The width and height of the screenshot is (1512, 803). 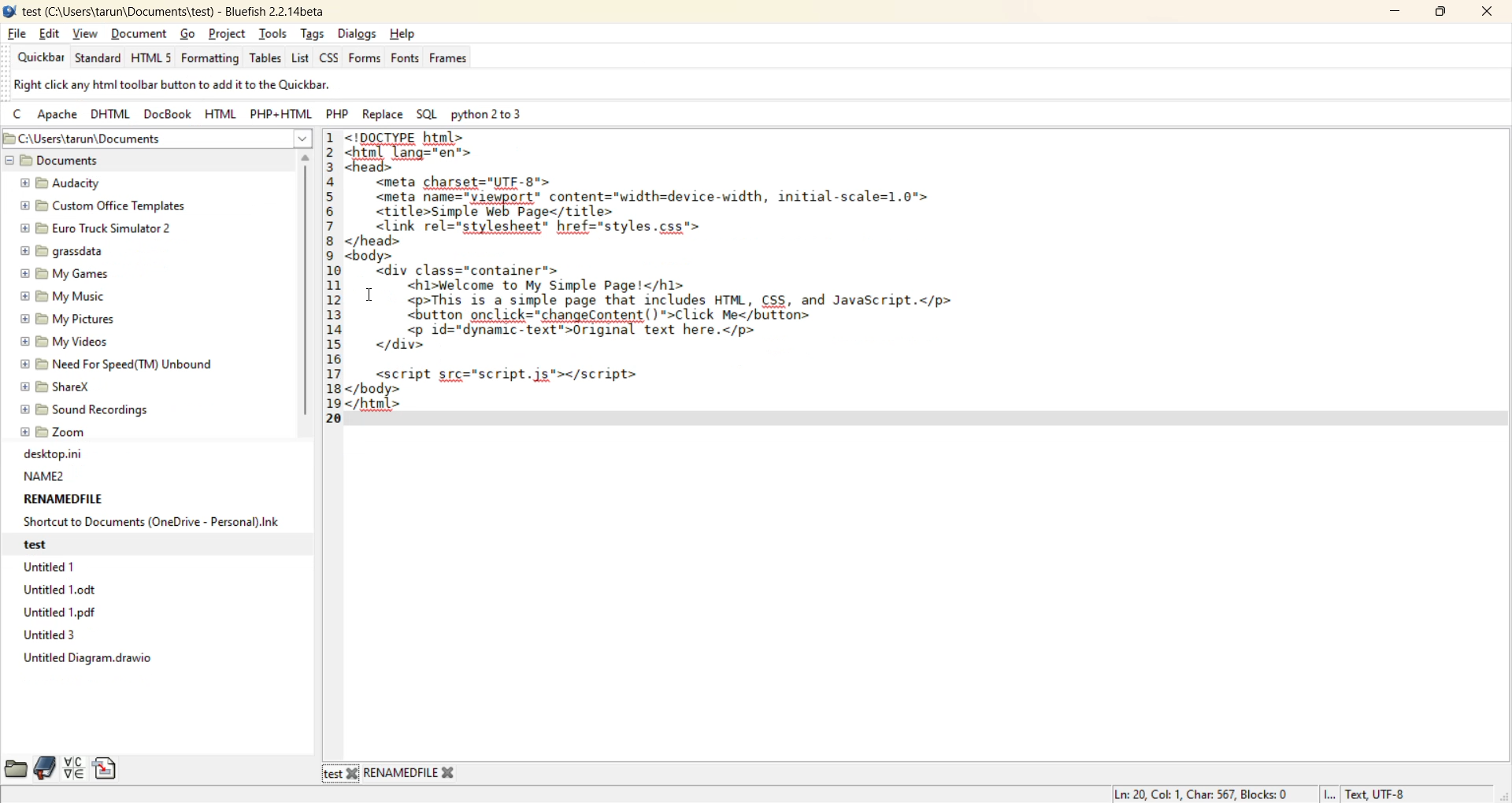 What do you see at coordinates (1262, 794) in the screenshot?
I see `metadata` at bounding box center [1262, 794].